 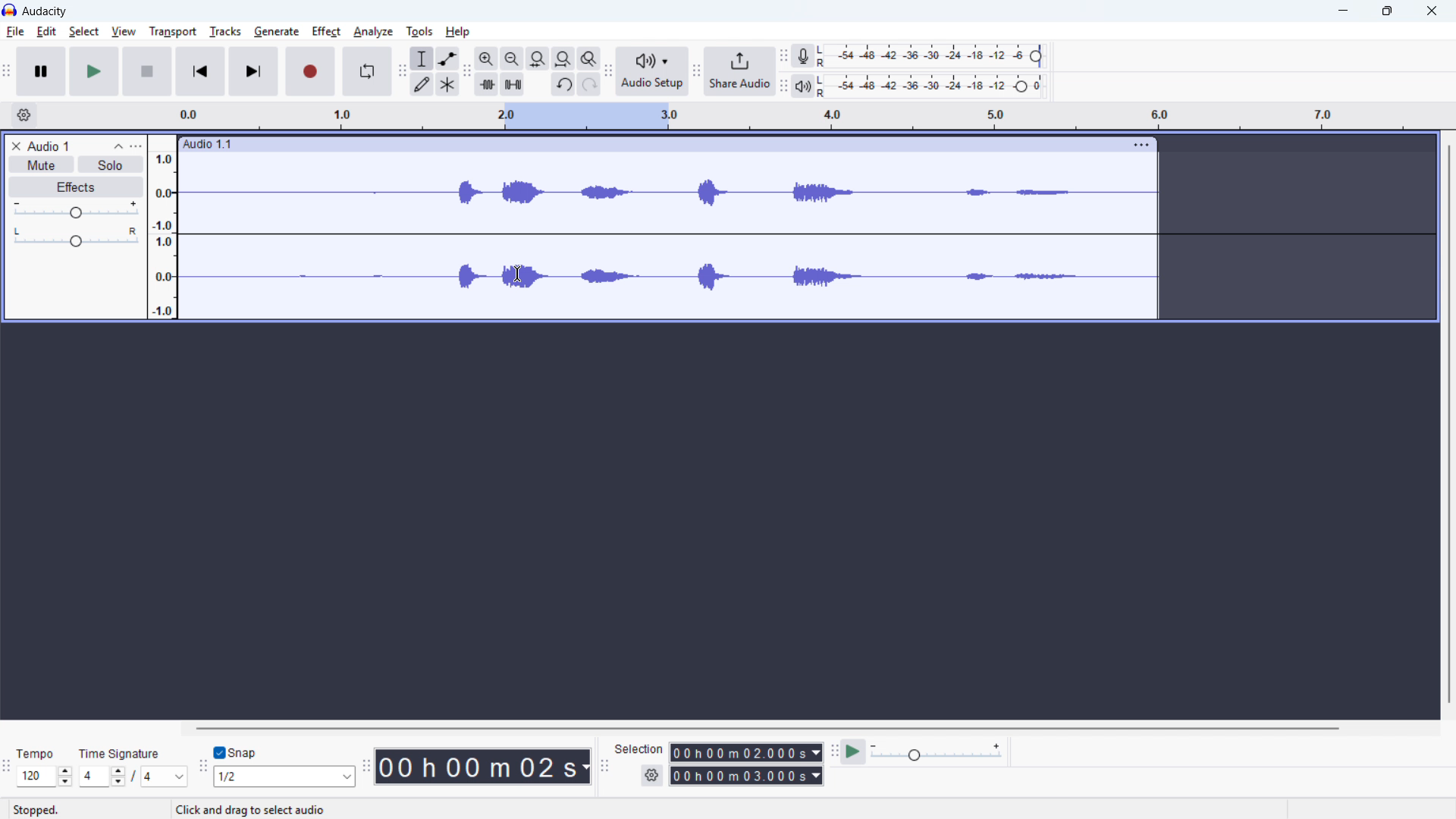 What do you see at coordinates (173, 32) in the screenshot?
I see `Transport` at bounding box center [173, 32].